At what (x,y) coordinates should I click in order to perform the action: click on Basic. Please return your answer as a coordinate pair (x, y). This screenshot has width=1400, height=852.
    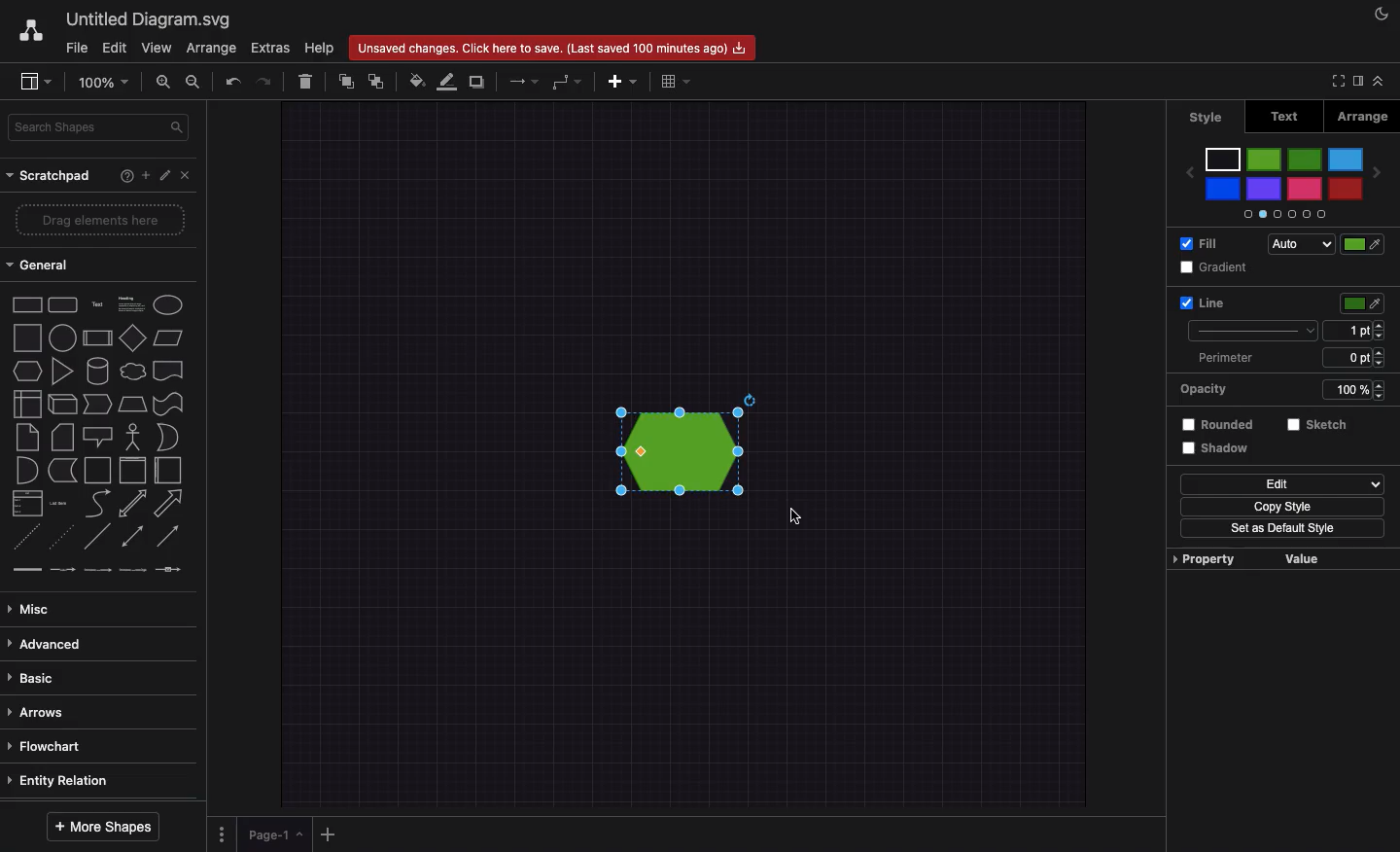
    Looking at the image, I should click on (34, 677).